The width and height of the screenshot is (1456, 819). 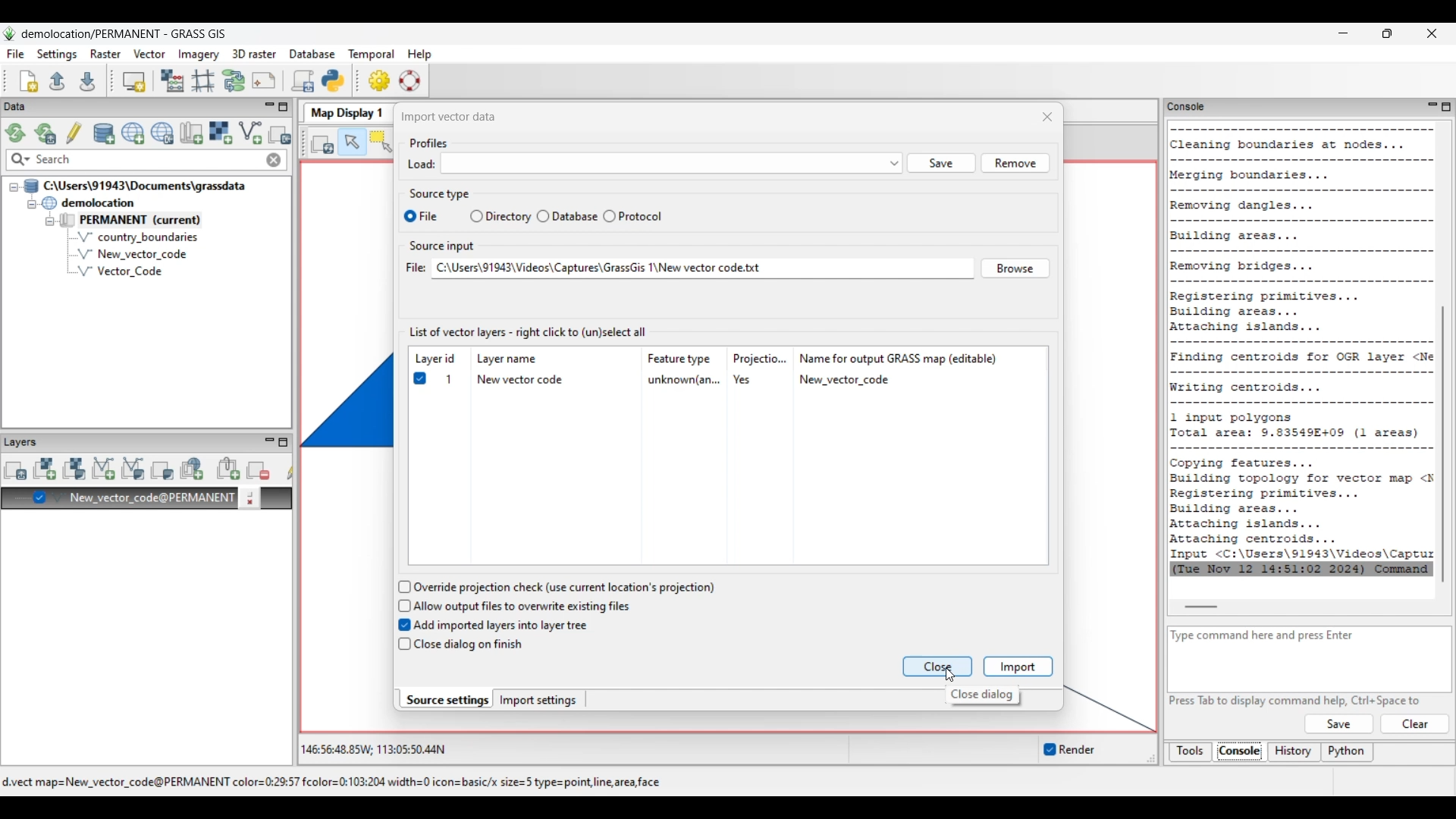 I want to click on Cursor clicking on closing current window, so click(x=949, y=675).